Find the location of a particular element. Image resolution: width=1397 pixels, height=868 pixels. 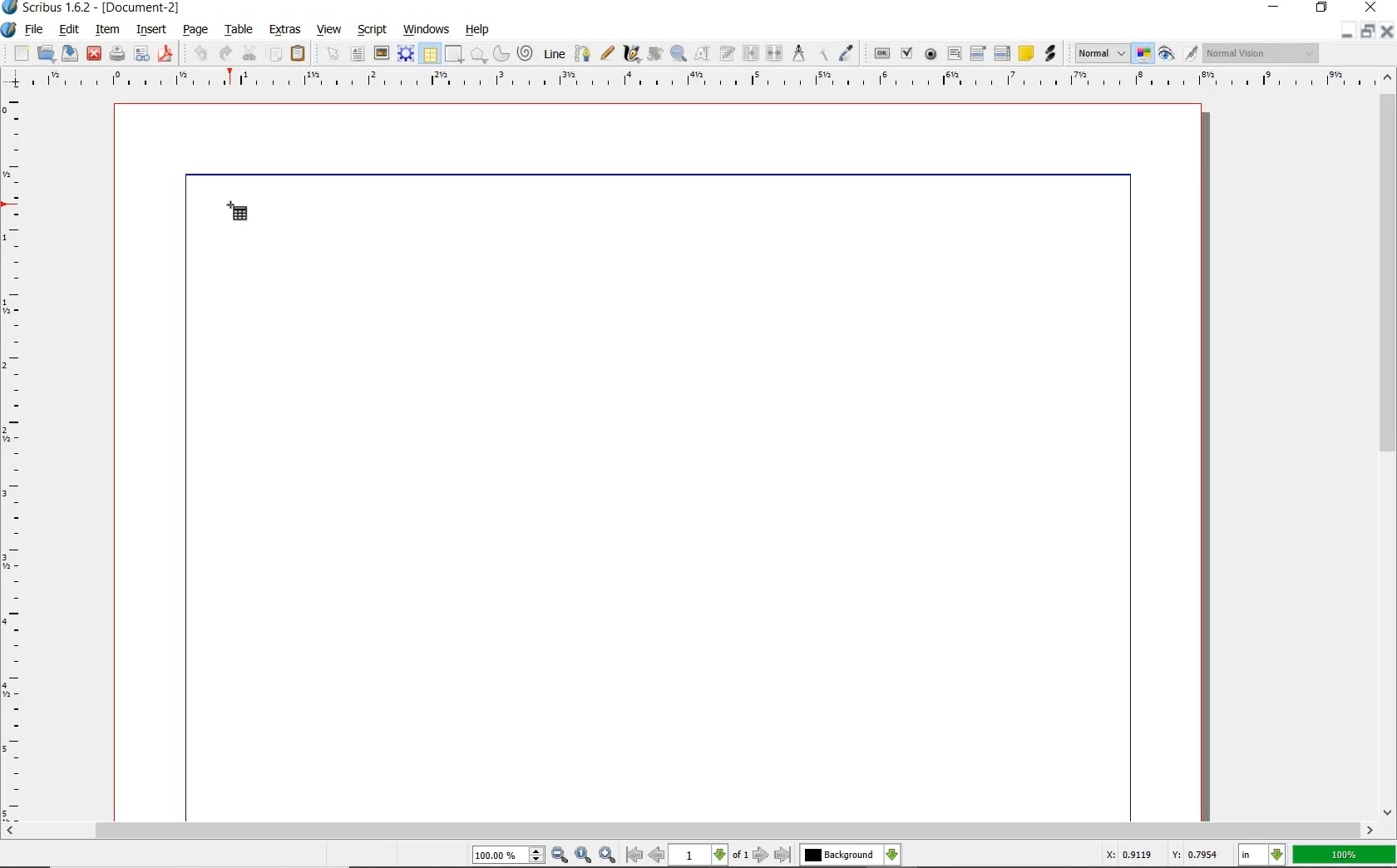

item is located at coordinates (111, 31).